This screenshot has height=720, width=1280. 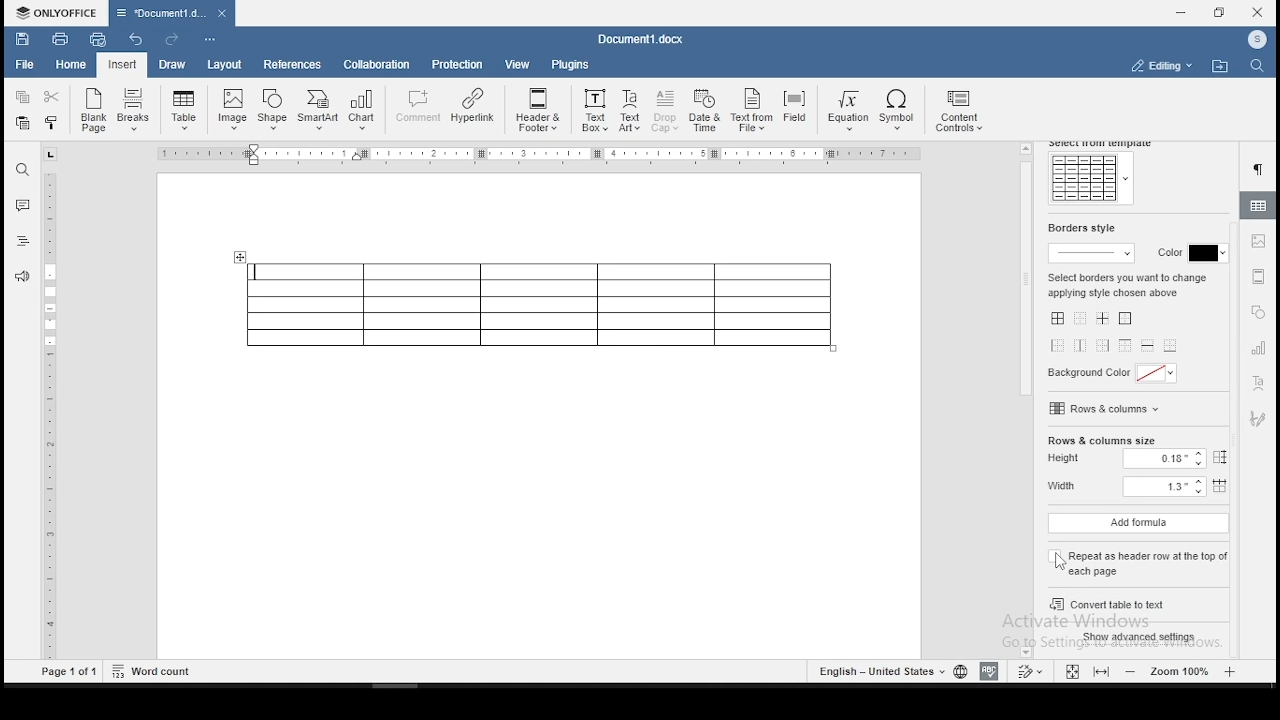 What do you see at coordinates (56, 96) in the screenshot?
I see `cut` at bounding box center [56, 96].